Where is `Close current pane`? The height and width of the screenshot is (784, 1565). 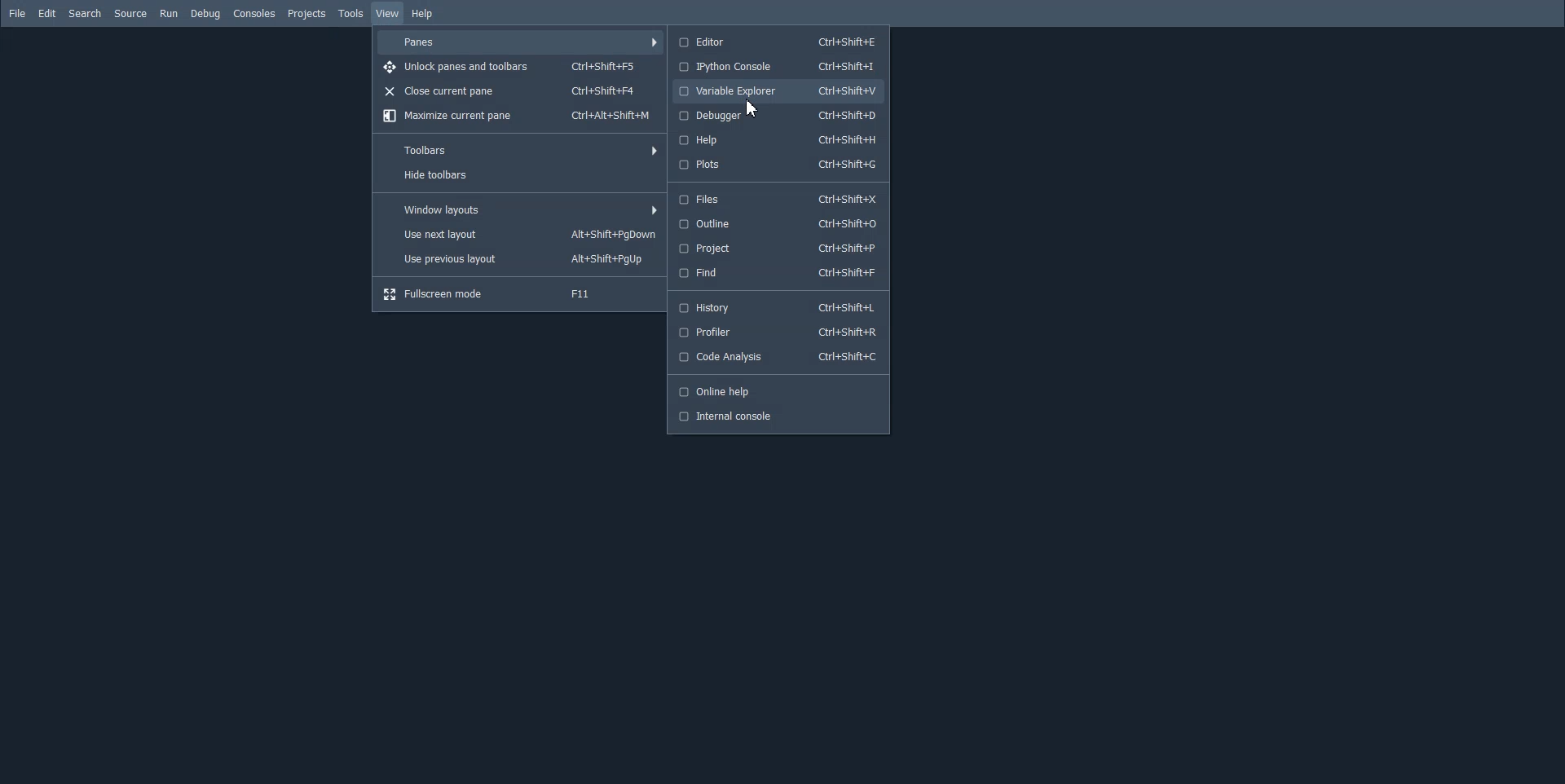
Close current pane is located at coordinates (519, 91).